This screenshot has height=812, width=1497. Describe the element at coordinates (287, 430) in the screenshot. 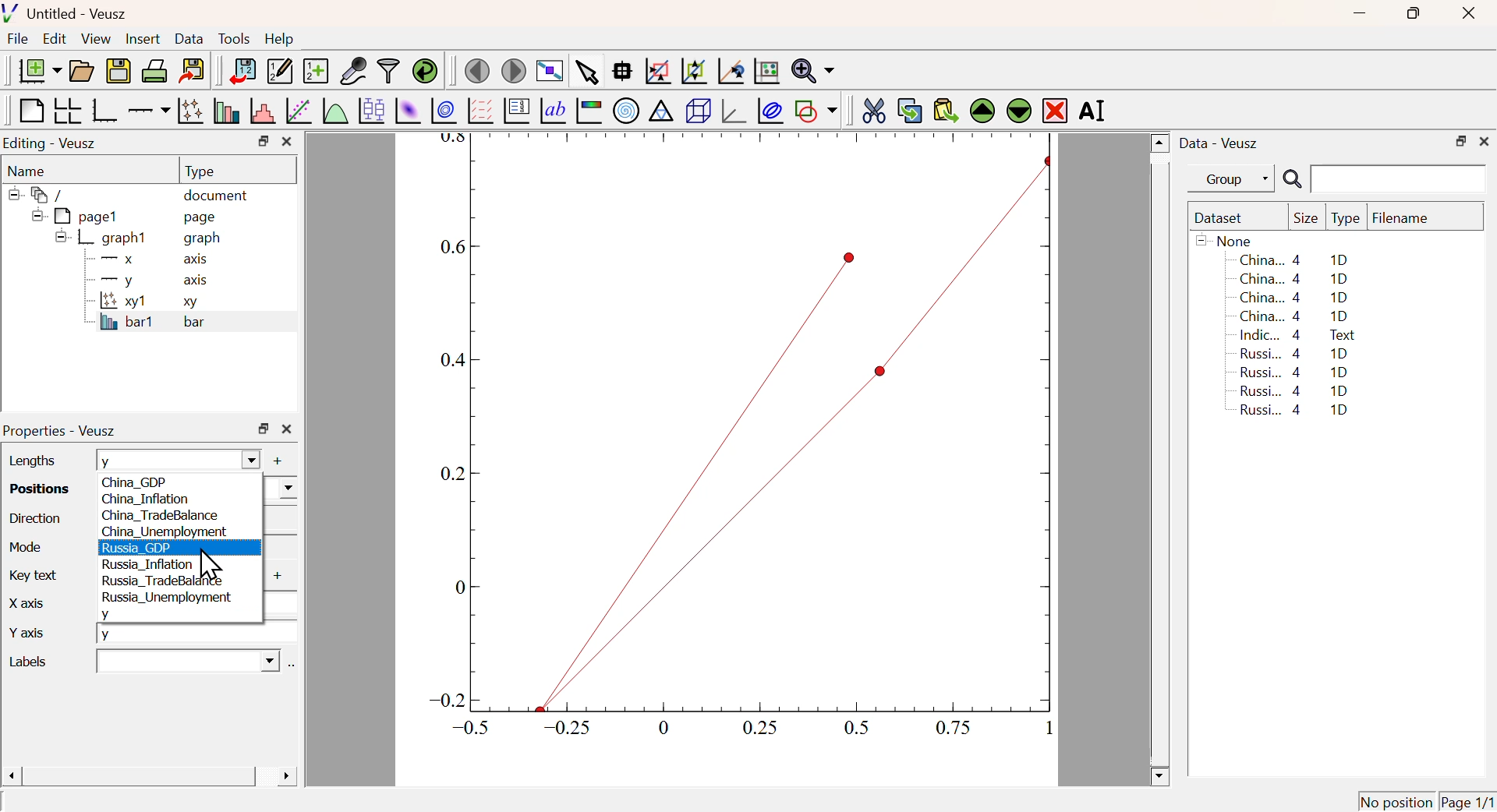

I see `Close` at that location.